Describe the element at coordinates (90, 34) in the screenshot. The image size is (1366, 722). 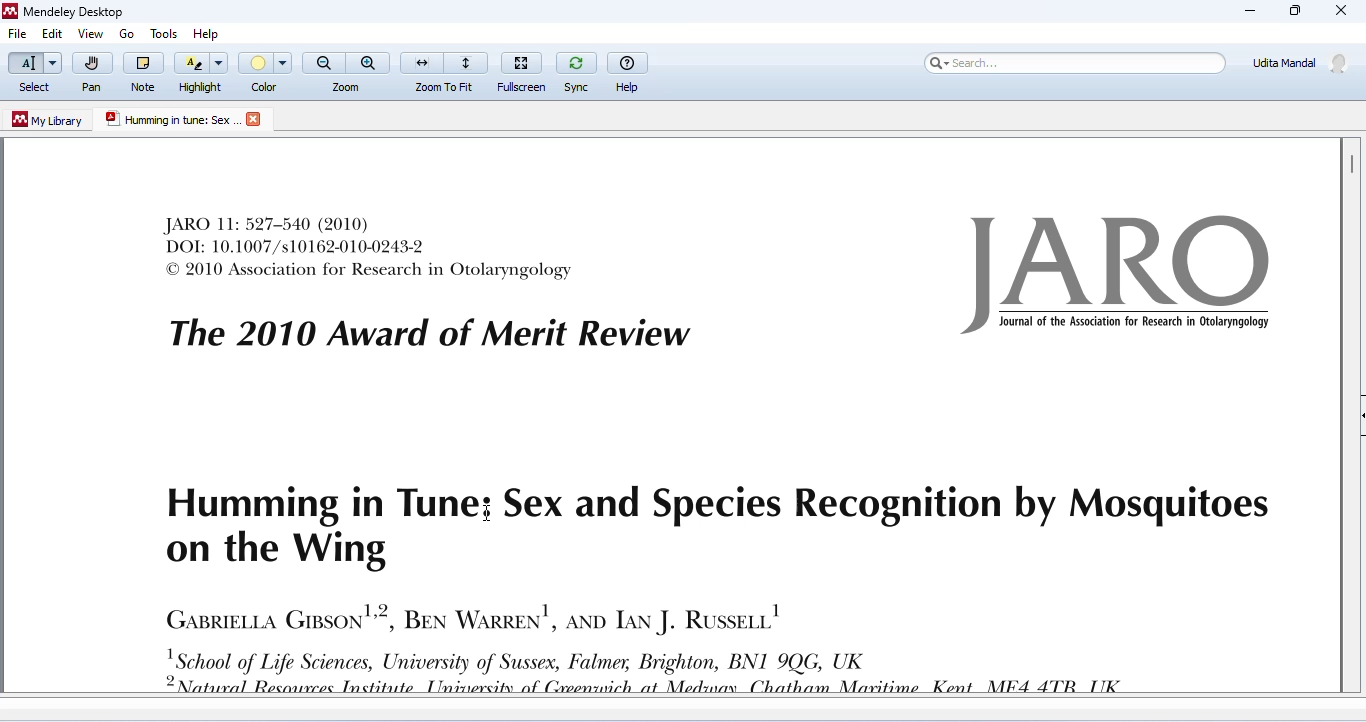
I see `view` at that location.